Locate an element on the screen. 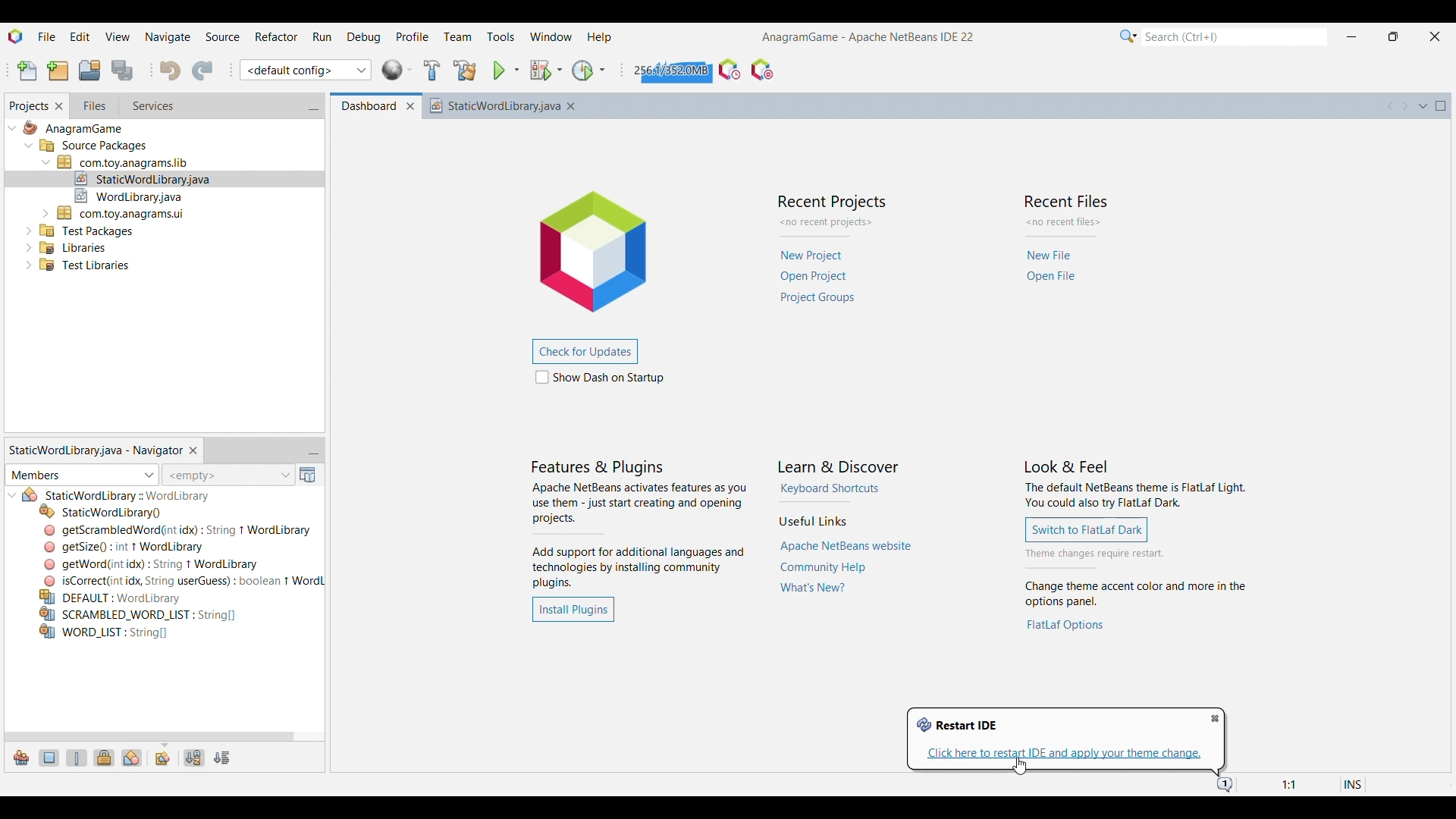 The width and height of the screenshot is (1456, 819). Notification bubble is located at coordinates (1224, 786).